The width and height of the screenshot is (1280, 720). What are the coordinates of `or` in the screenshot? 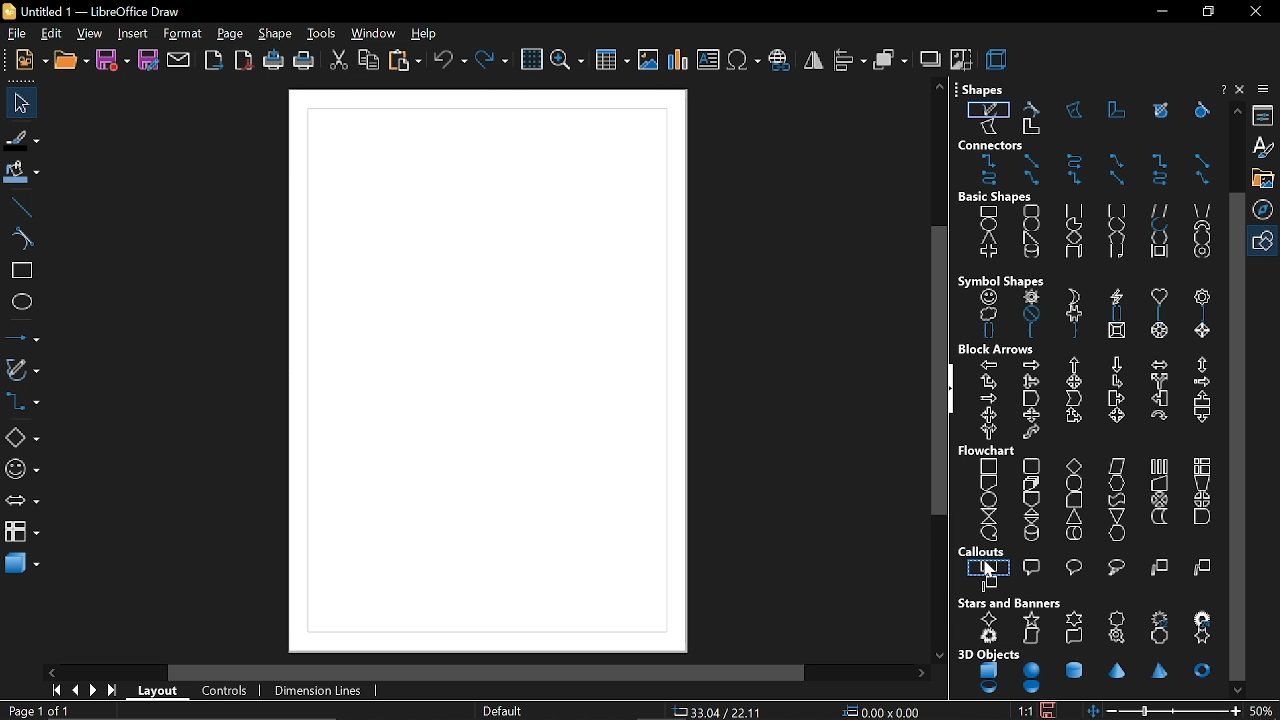 It's located at (1201, 499).